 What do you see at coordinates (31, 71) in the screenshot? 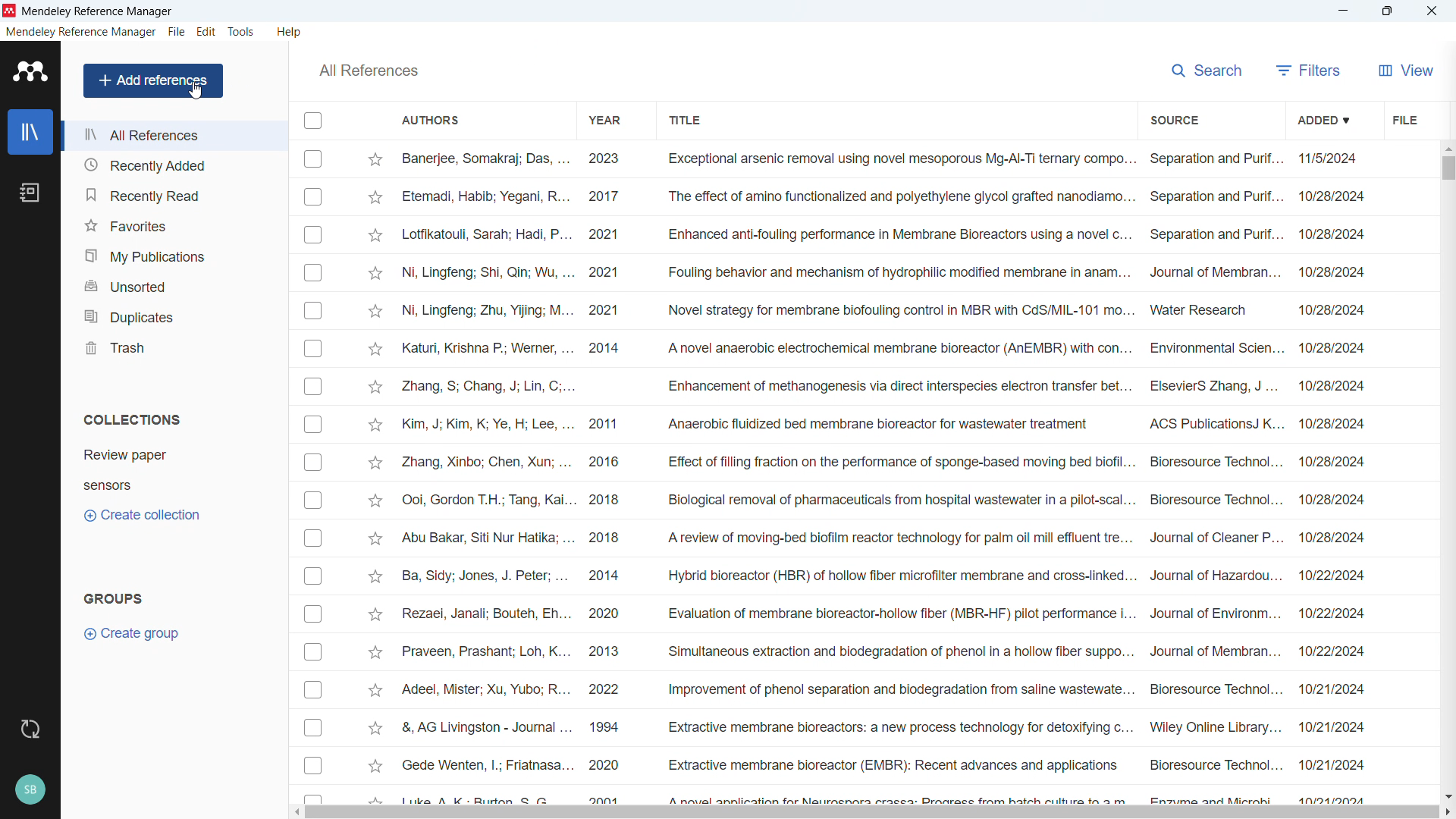
I see `Logo ` at bounding box center [31, 71].